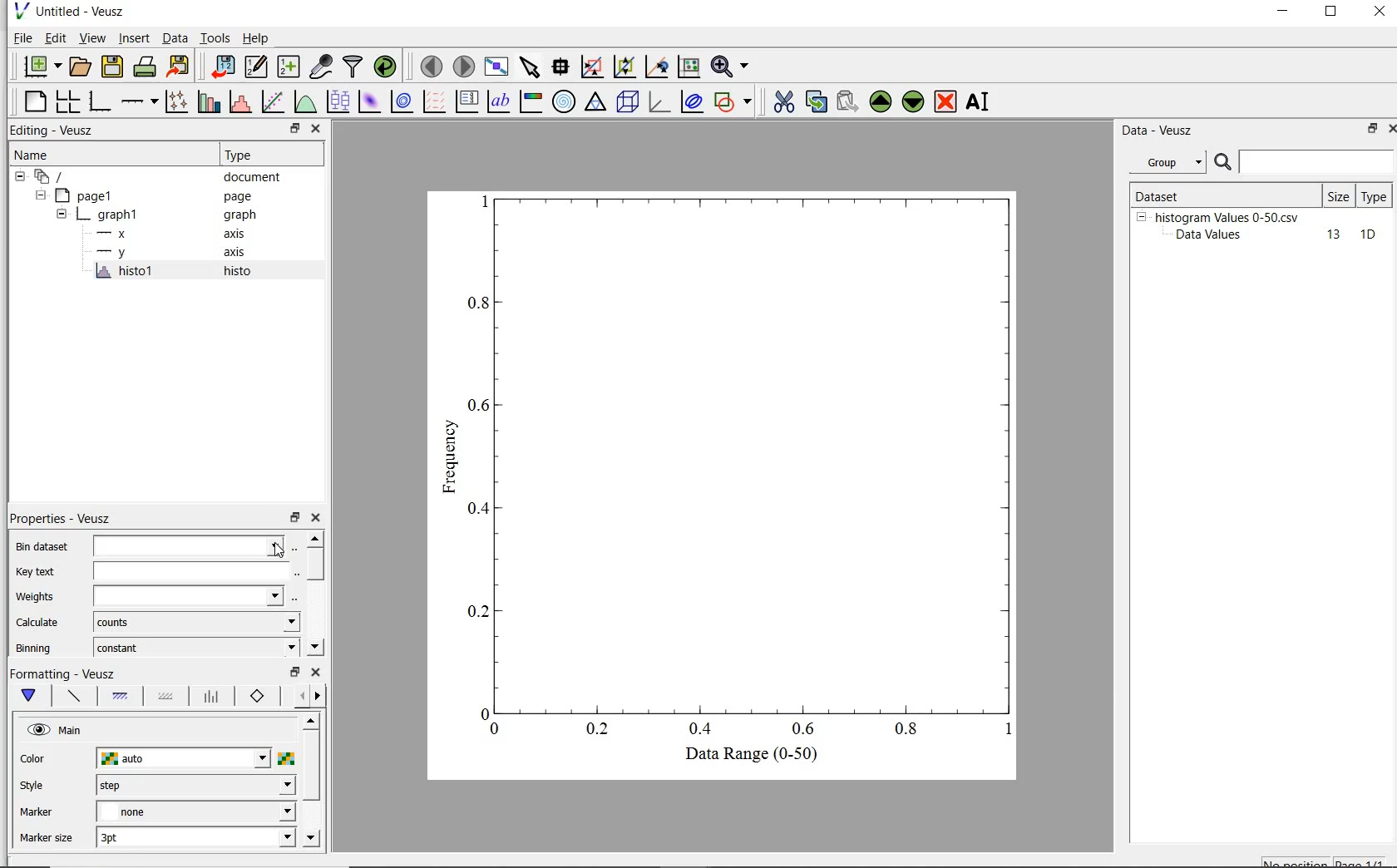 The image size is (1397, 868). I want to click on move down the selected widget, so click(913, 104).